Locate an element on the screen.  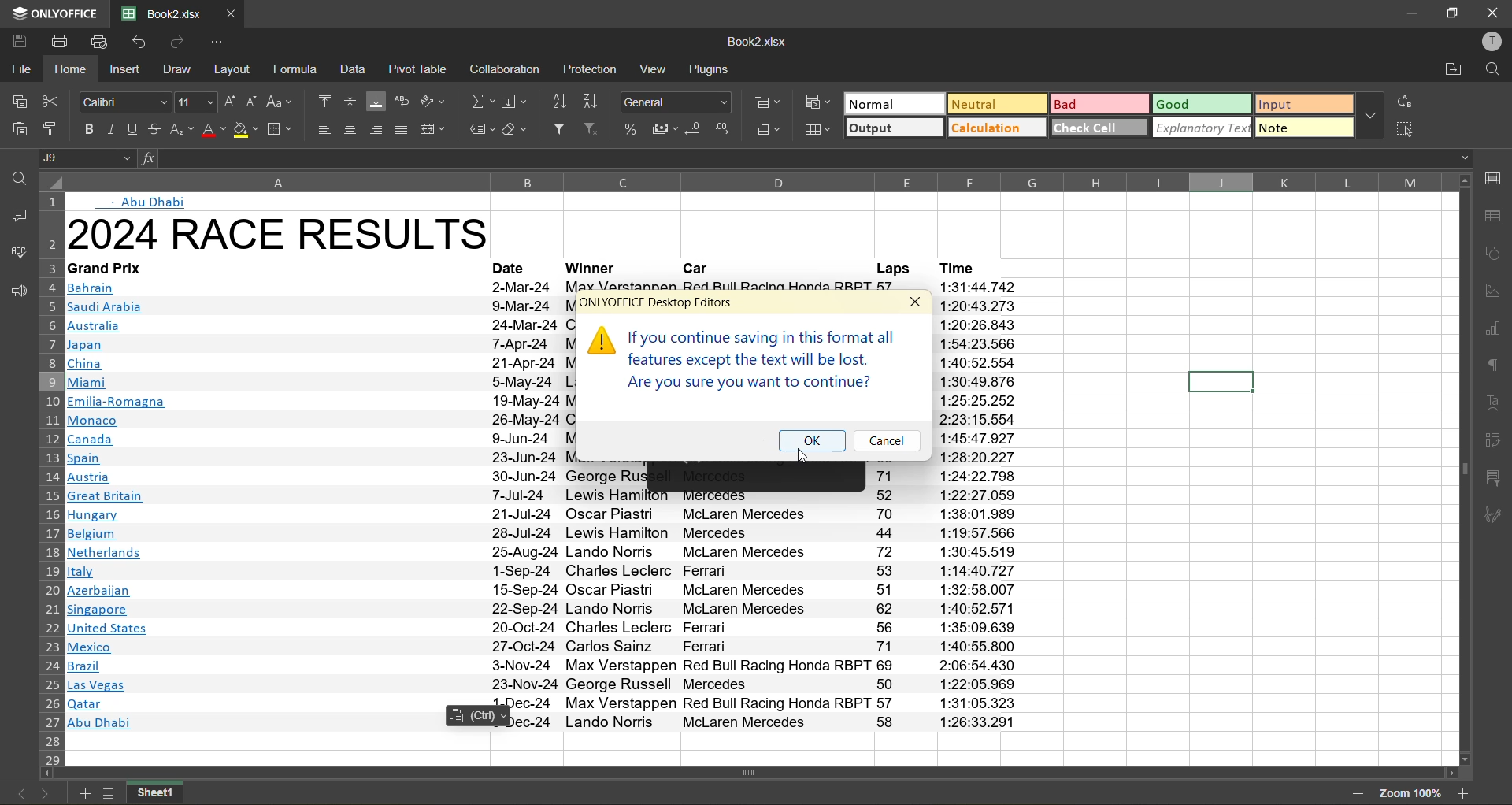
text info is located at coordinates (549, 666).